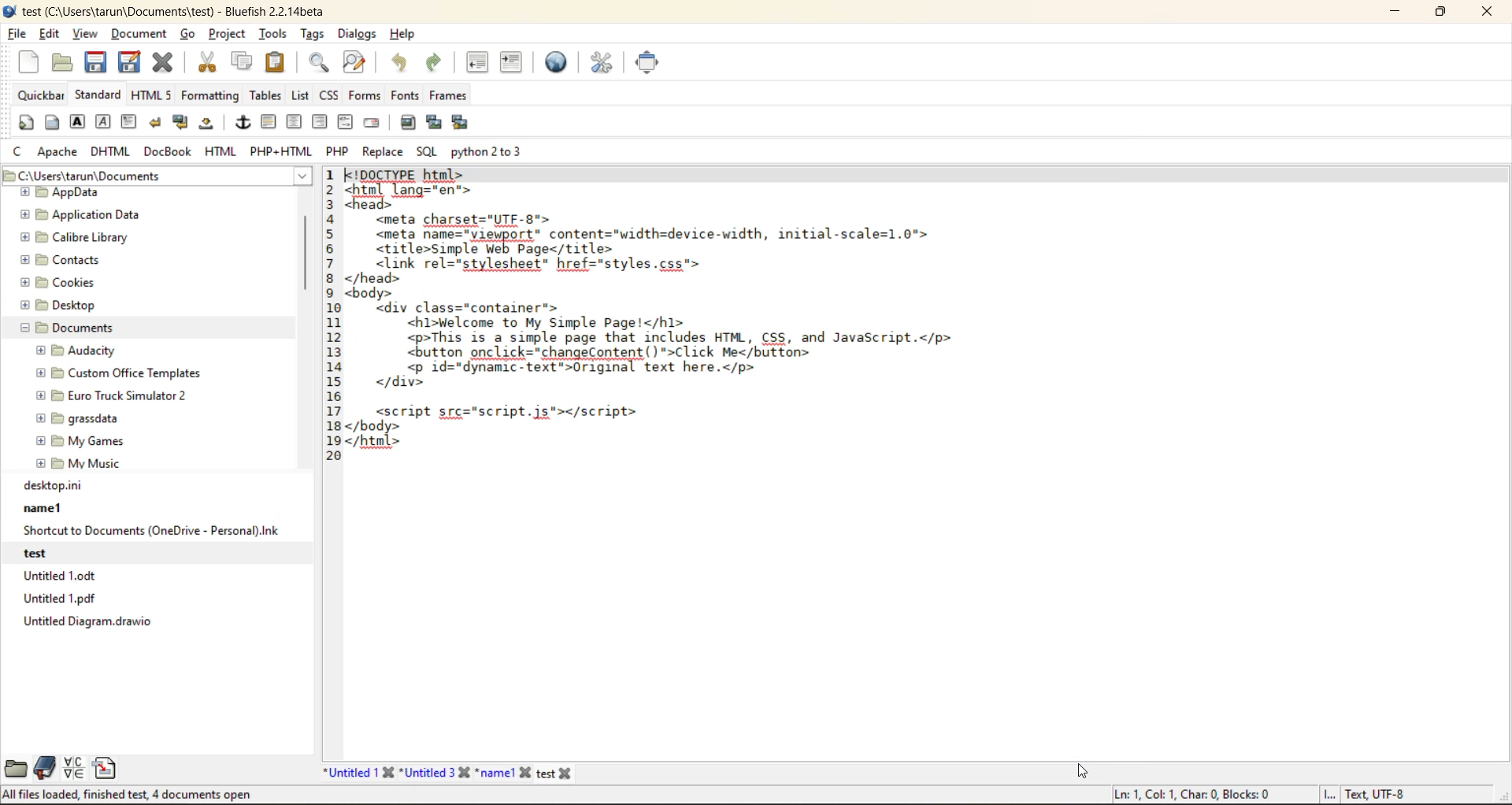  What do you see at coordinates (206, 62) in the screenshot?
I see `cut` at bounding box center [206, 62].